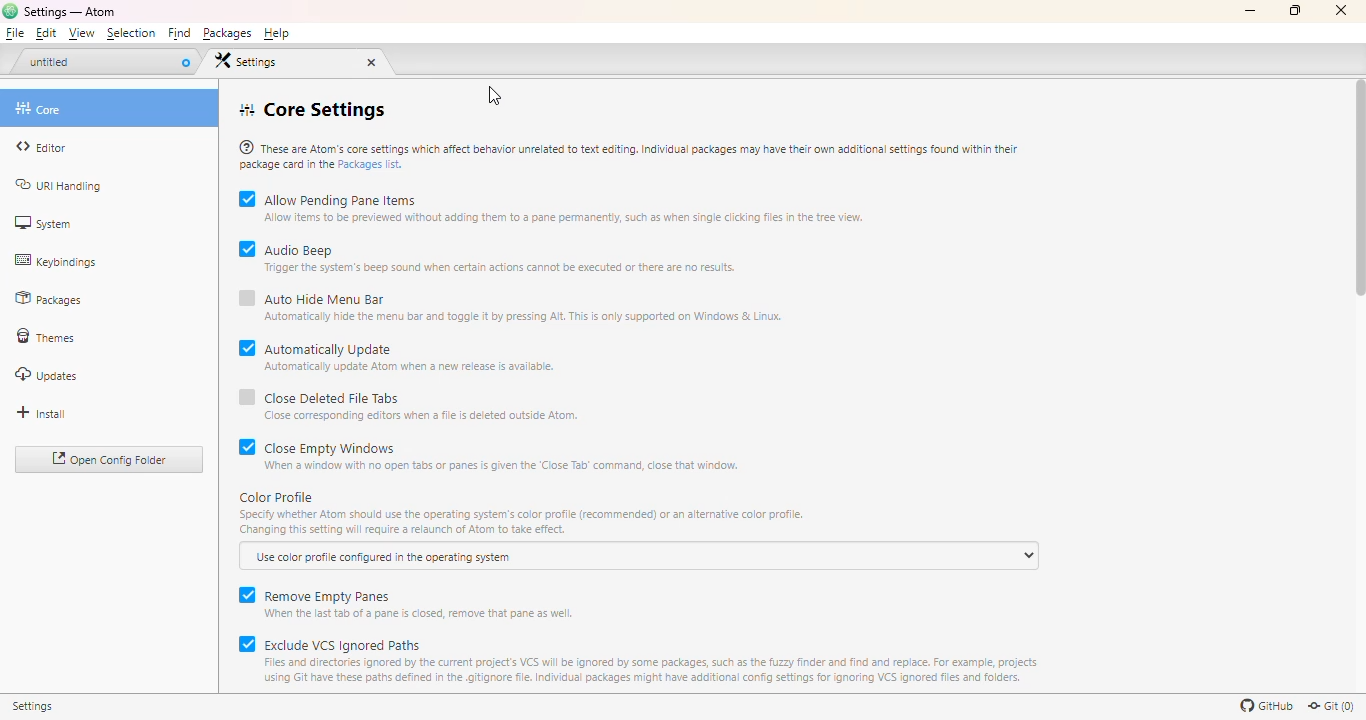 The width and height of the screenshot is (1366, 720). Describe the element at coordinates (503, 454) in the screenshot. I see `close empty windows` at that location.